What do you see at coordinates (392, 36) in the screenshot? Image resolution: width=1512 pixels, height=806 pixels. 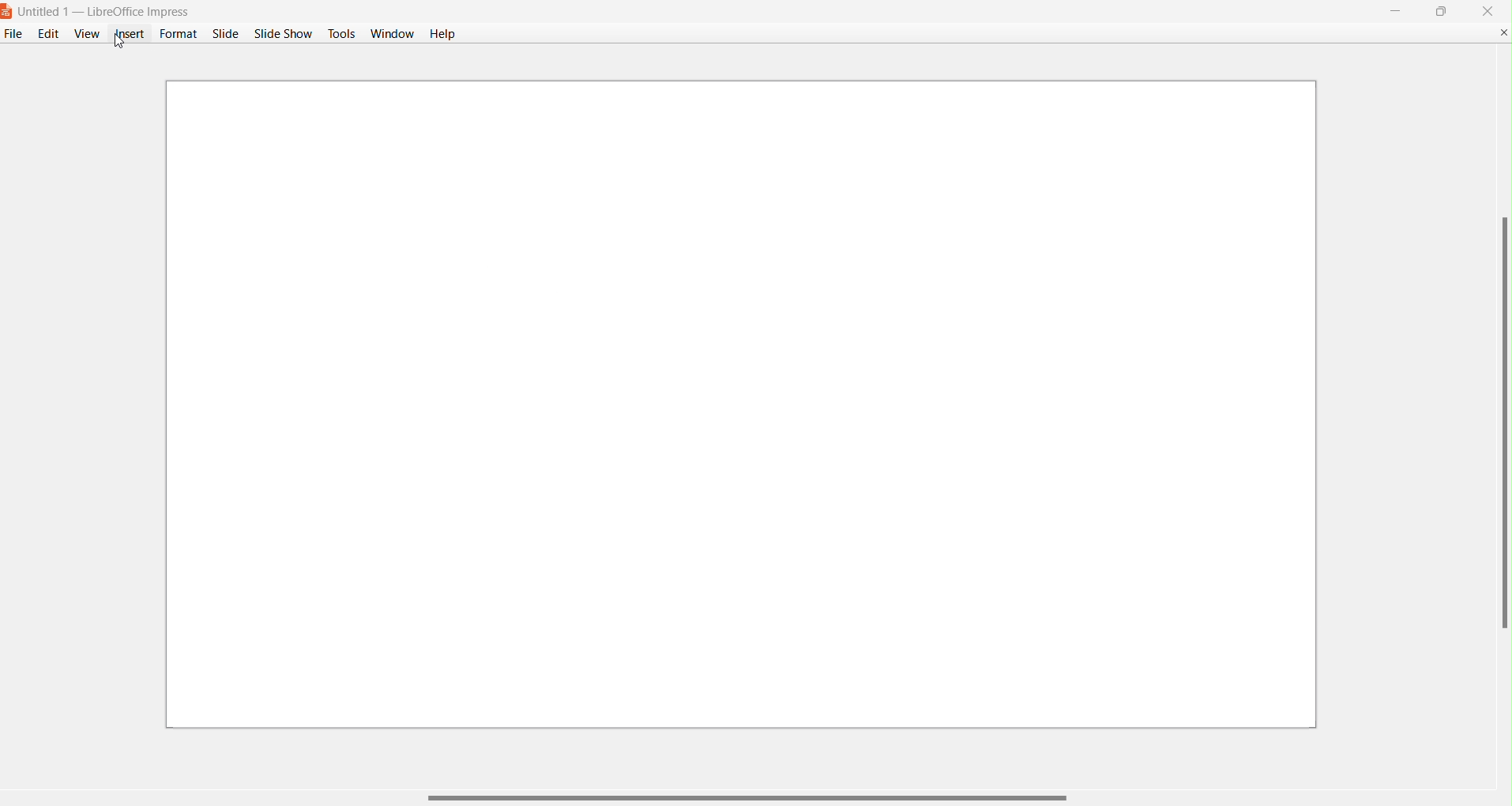 I see `Window` at bounding box center [392, 36].